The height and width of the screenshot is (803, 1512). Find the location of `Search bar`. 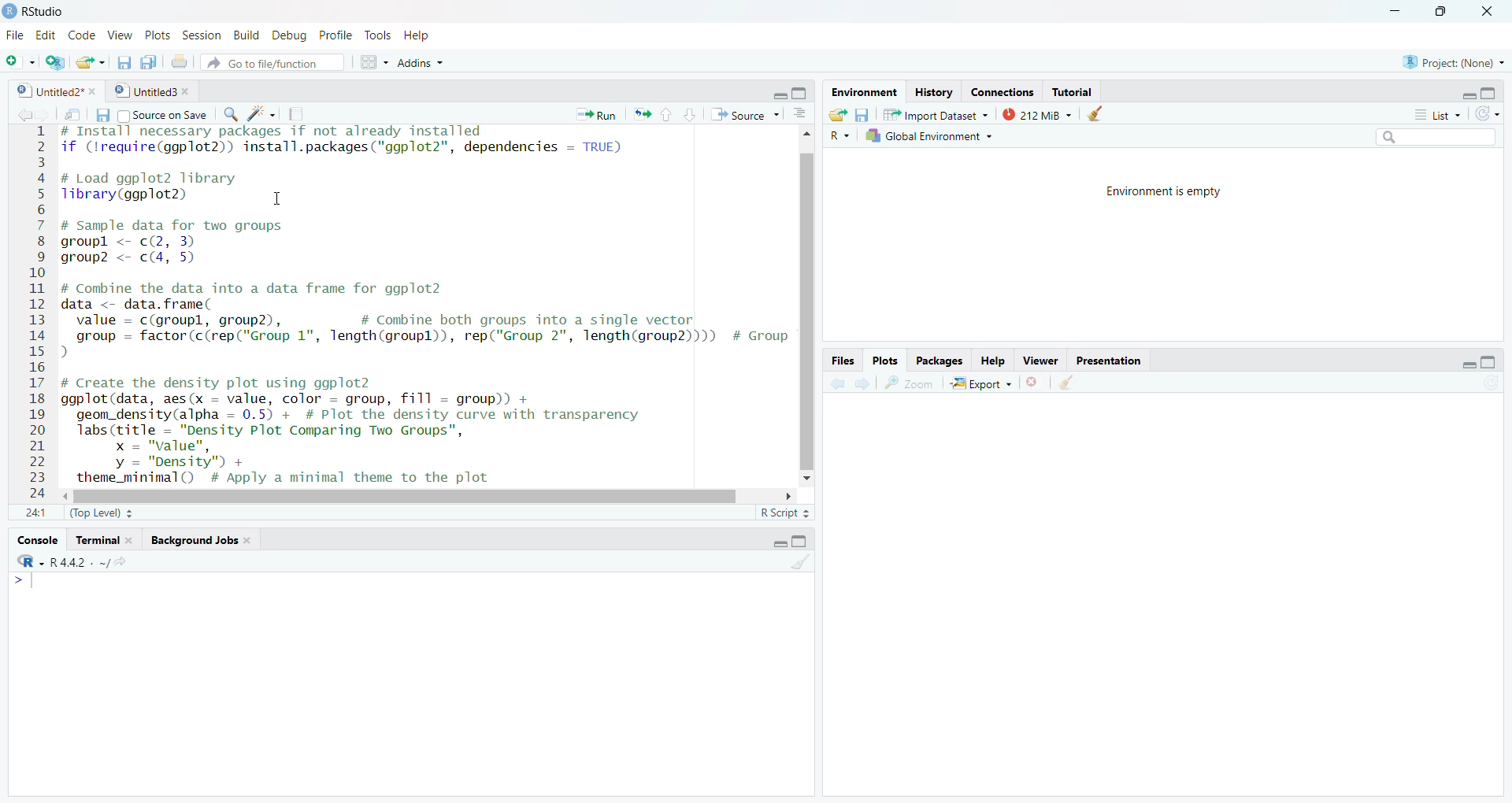

Search bar is located at coordinates (1425, 138).